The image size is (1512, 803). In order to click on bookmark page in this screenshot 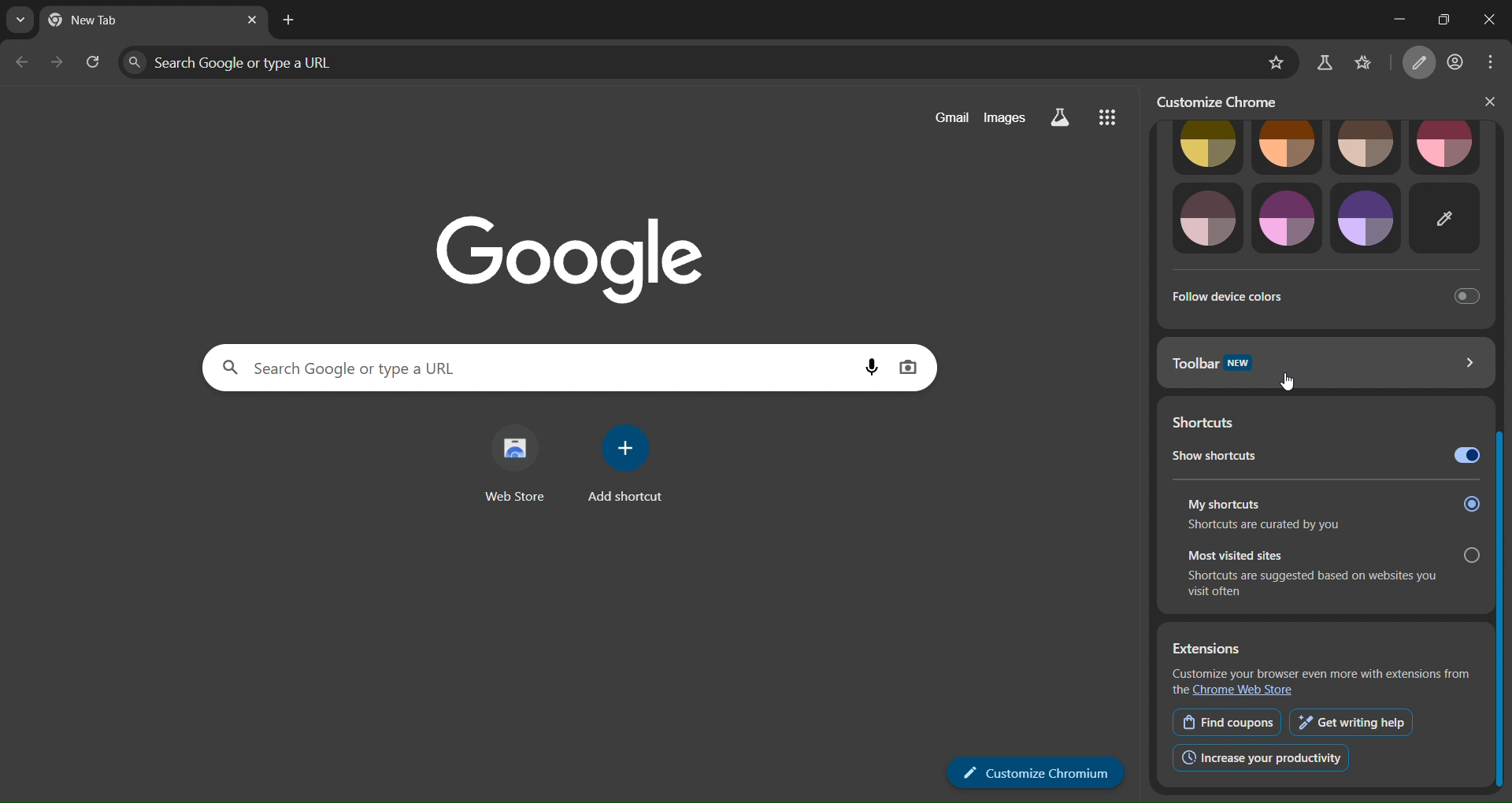, I will do `click(1271, 62)`.